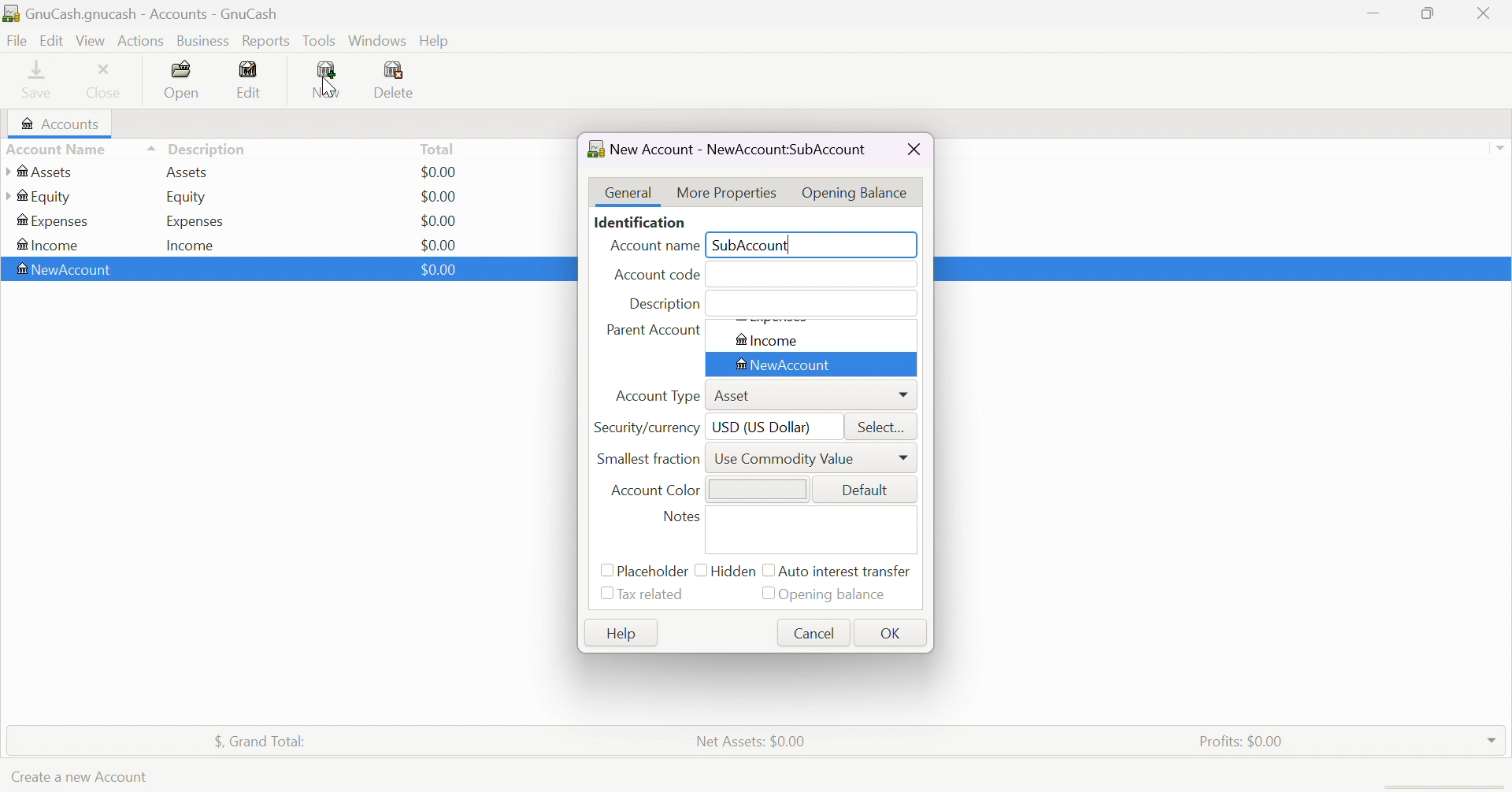  What do you see at coordinates (700, 572) in the screenshot?
I see `Checkbox` at bounding box center [700, 572].